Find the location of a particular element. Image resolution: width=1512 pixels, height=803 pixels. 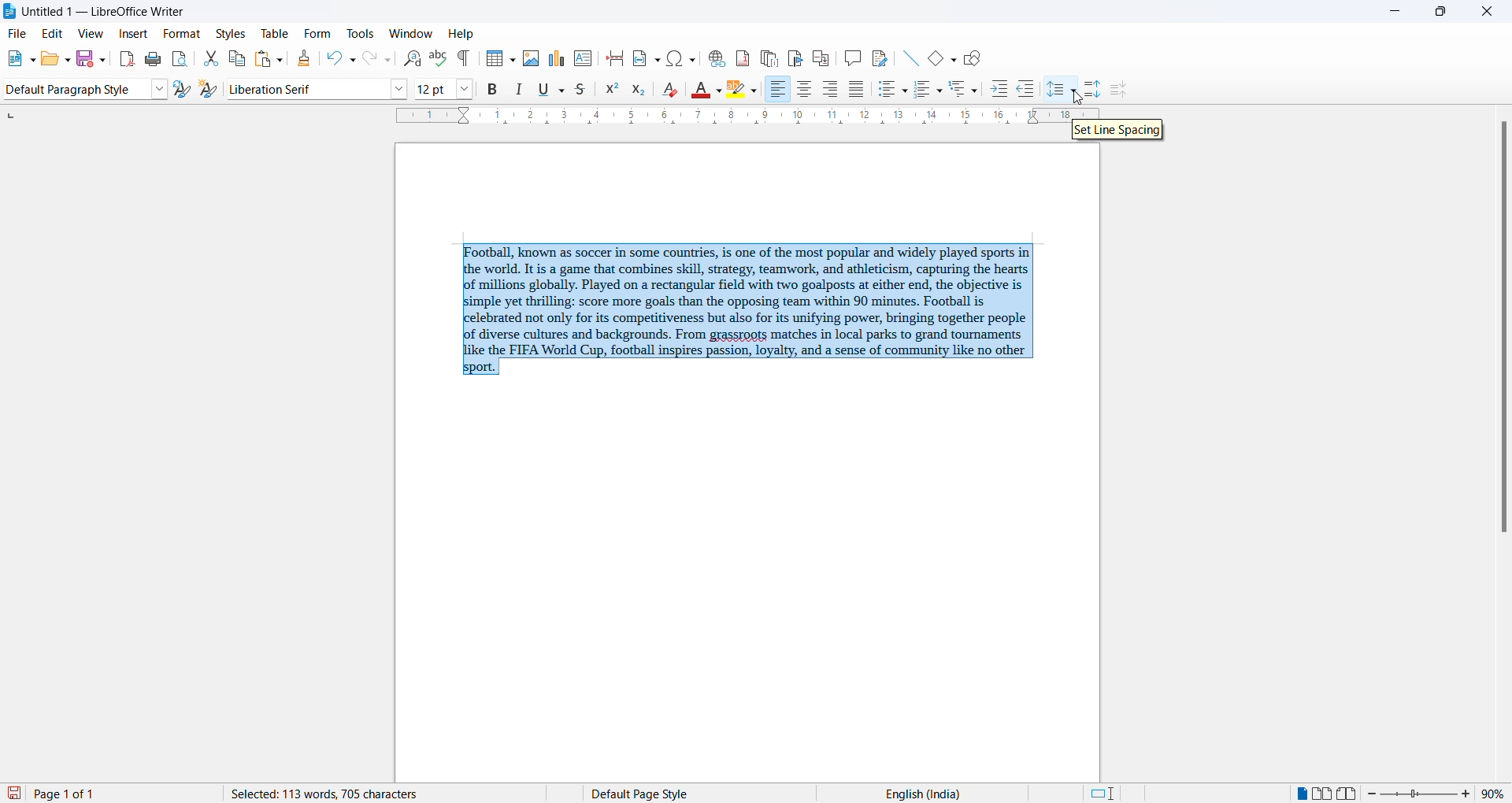

page style is located at coordinates (656, 794).